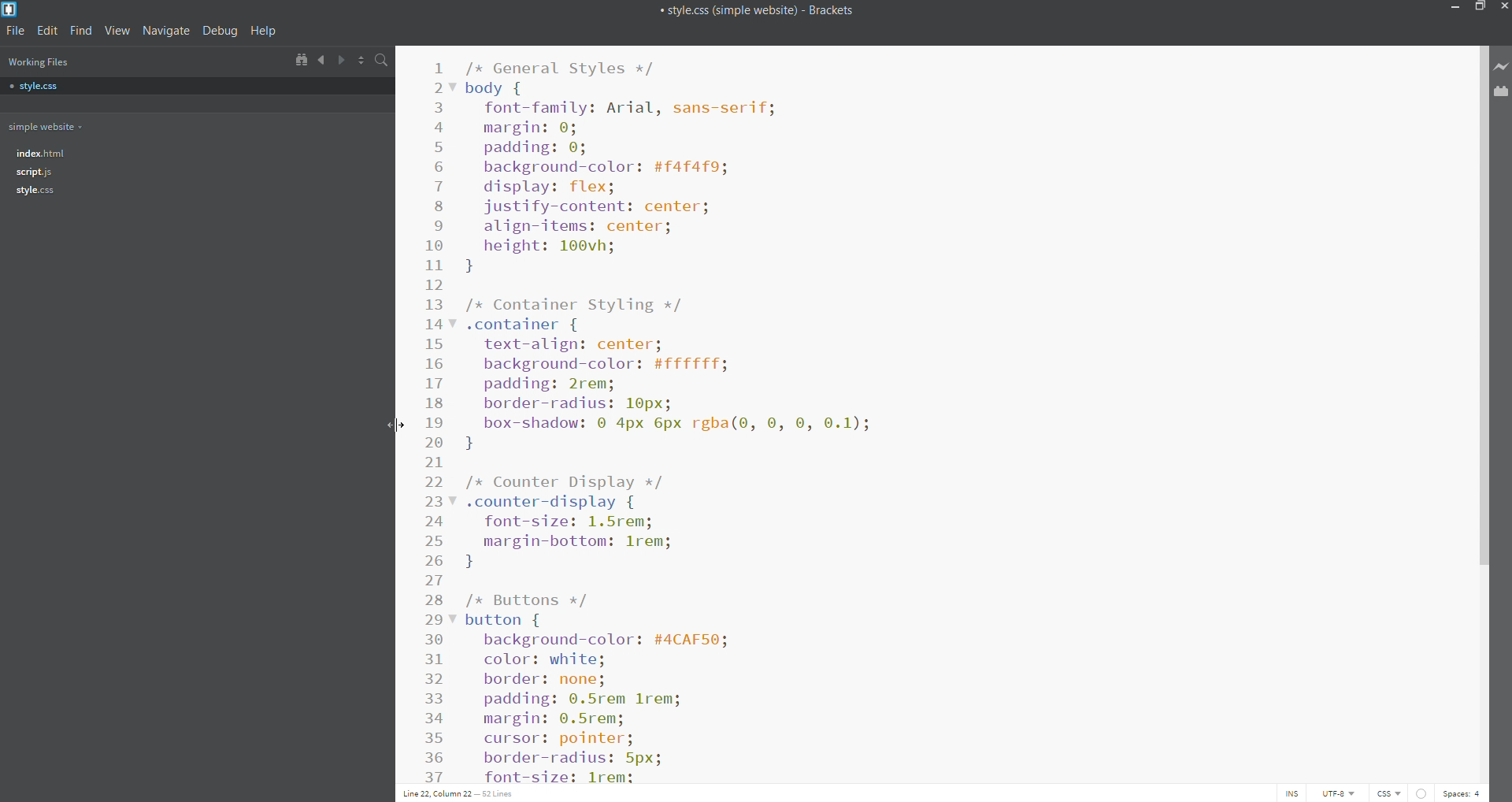  Describe the element at coordinates (117, 87) in the screenshot. I see `style.css` at that location.